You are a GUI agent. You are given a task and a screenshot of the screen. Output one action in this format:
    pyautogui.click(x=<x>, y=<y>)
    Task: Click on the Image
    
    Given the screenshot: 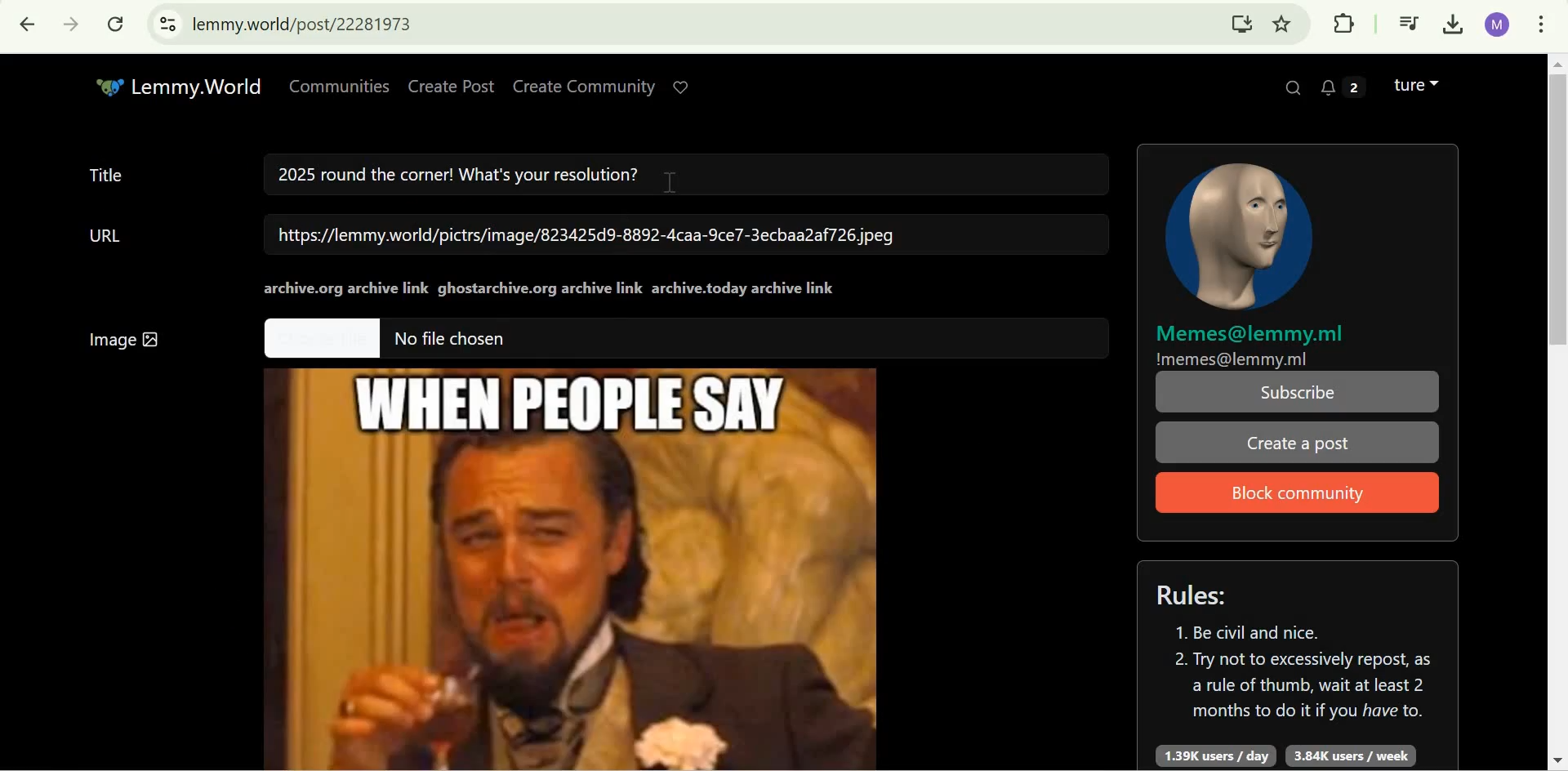 What is the action you would take?
    pyautogui.click(x=582, y=562)
    